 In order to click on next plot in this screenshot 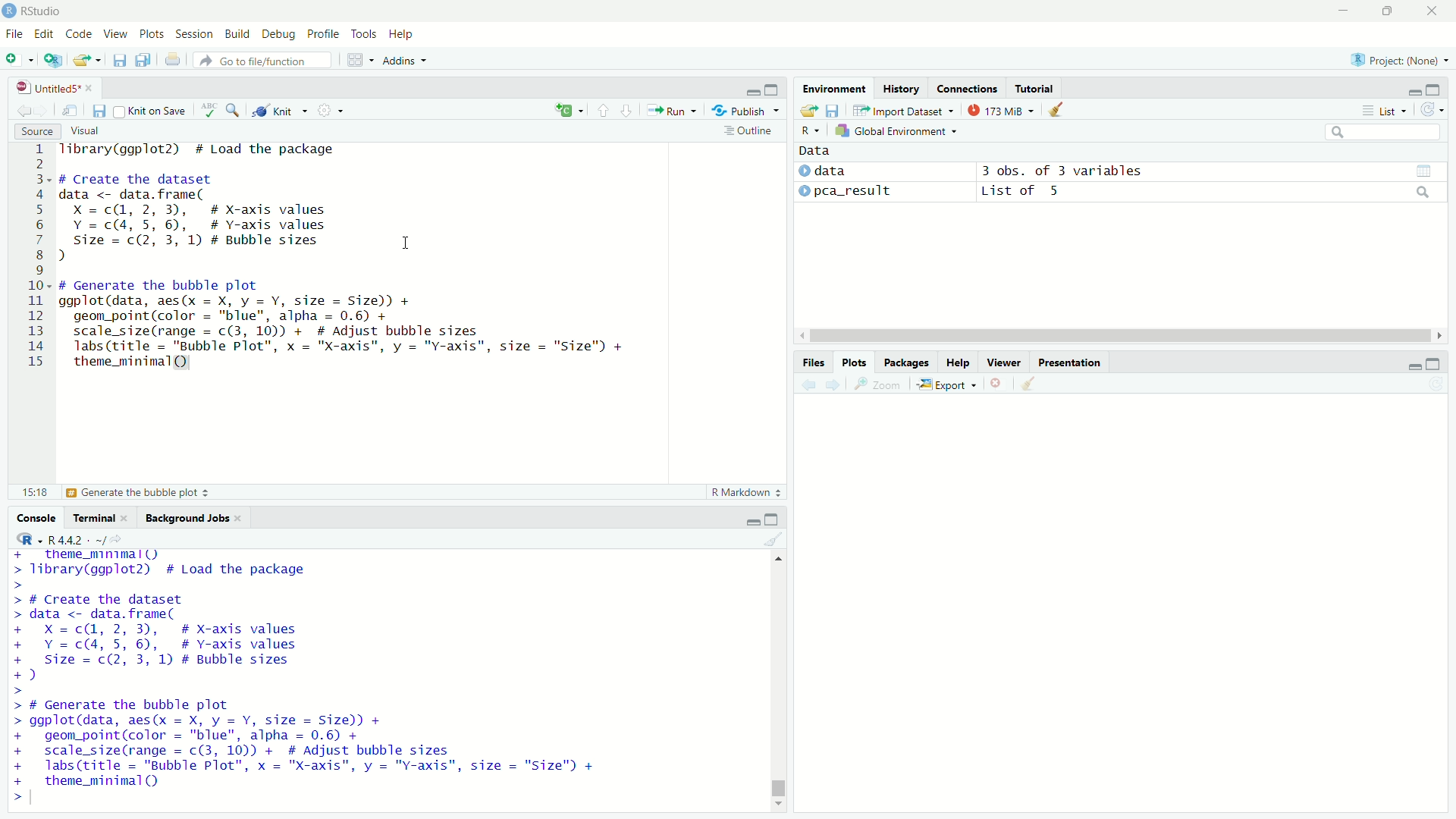, I will do `click(835, 384)`.